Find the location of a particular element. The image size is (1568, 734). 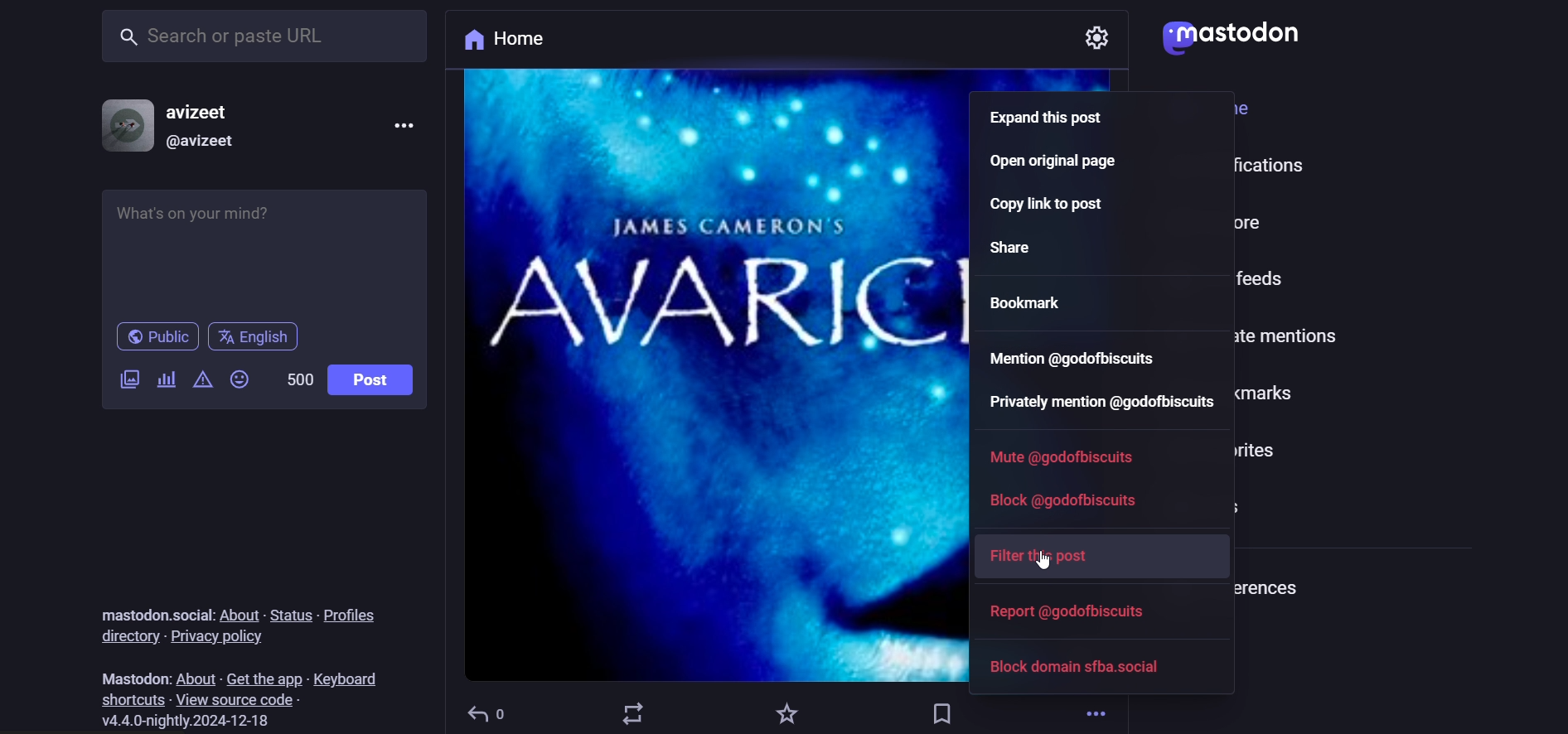

mastodon social is located at coordinates (151, 612).